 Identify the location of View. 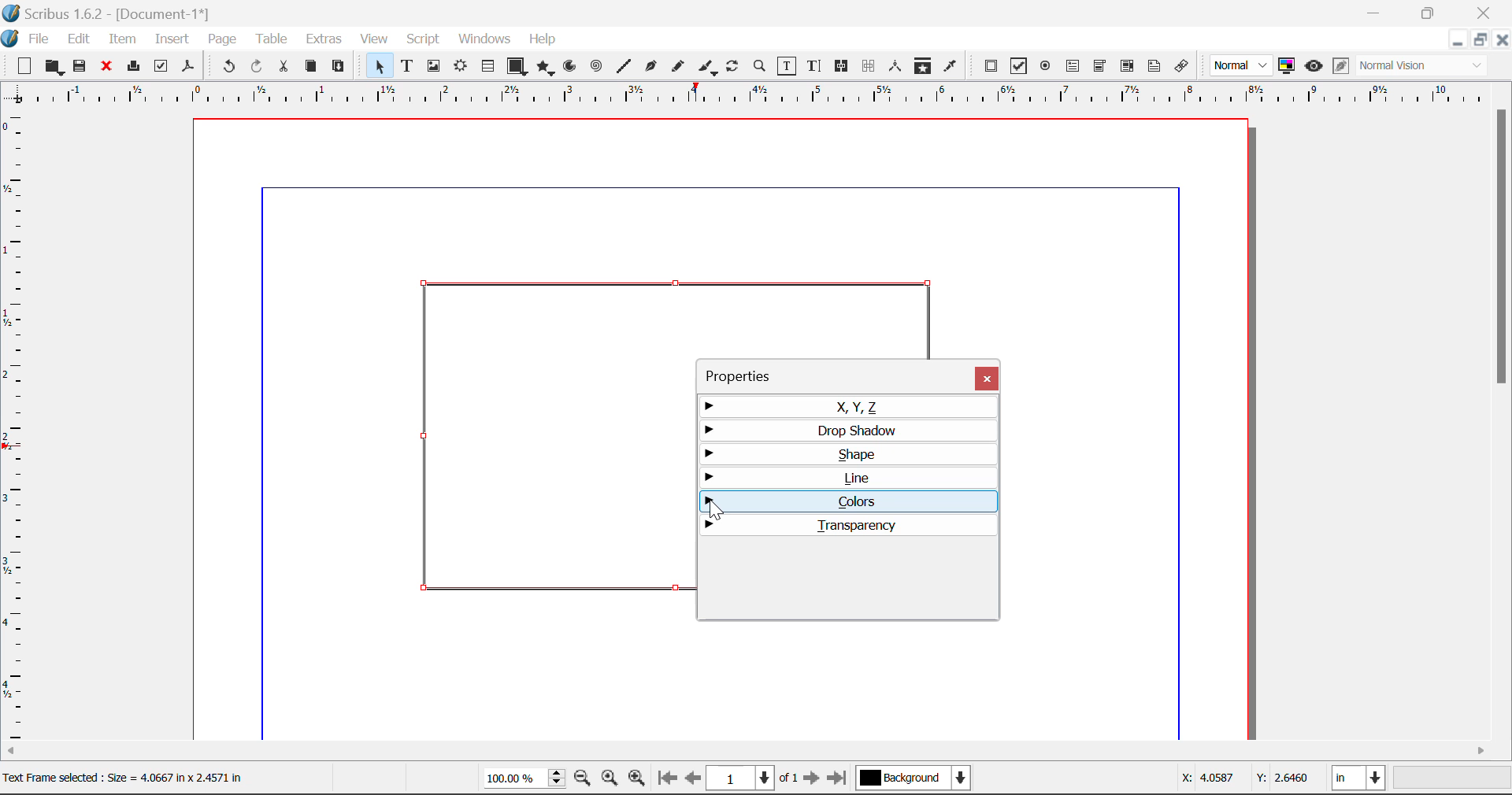
(375, 40).